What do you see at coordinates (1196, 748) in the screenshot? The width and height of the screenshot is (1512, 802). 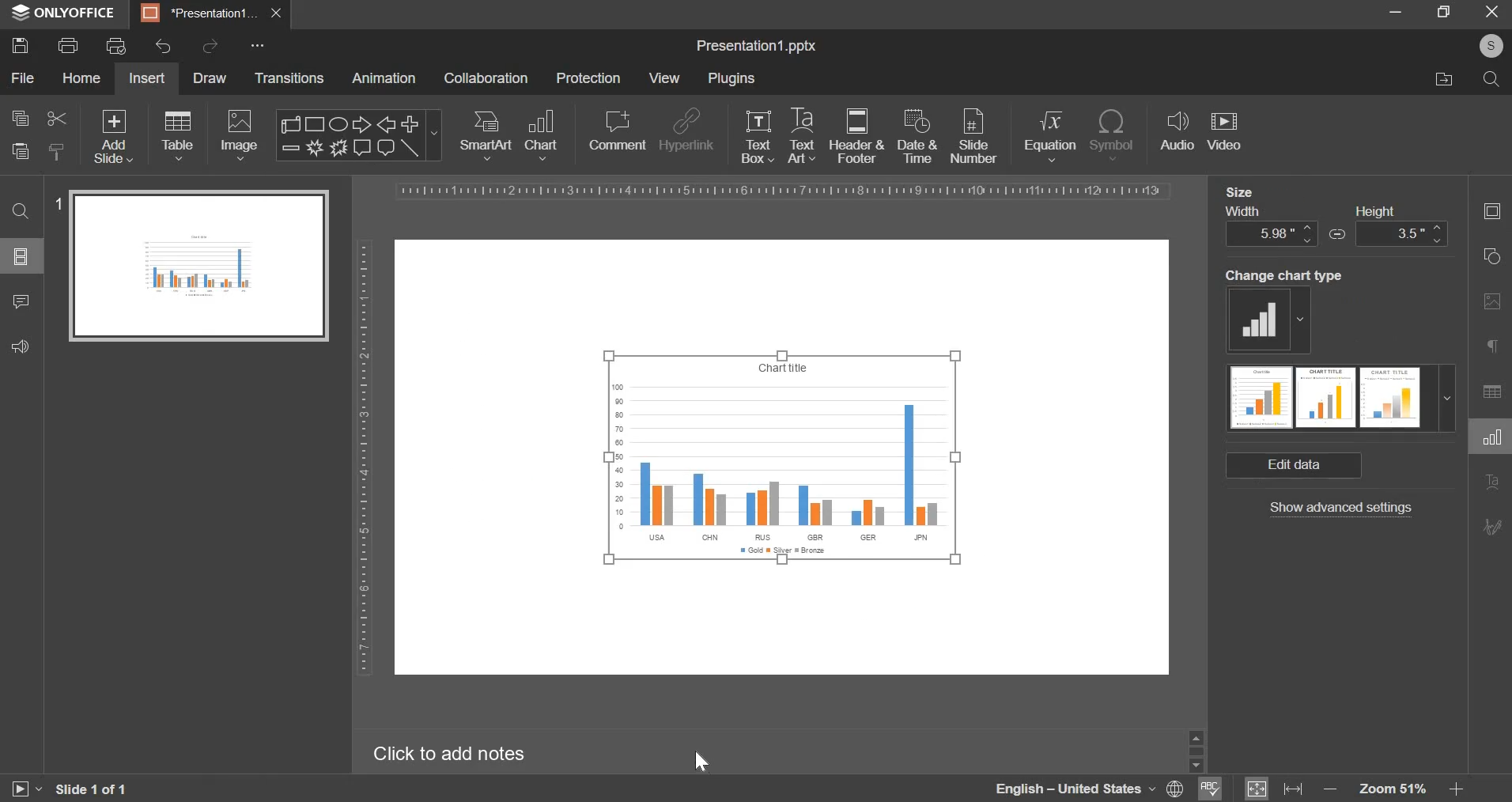 I see `scroll bar` at bounding box center [1196, 748].